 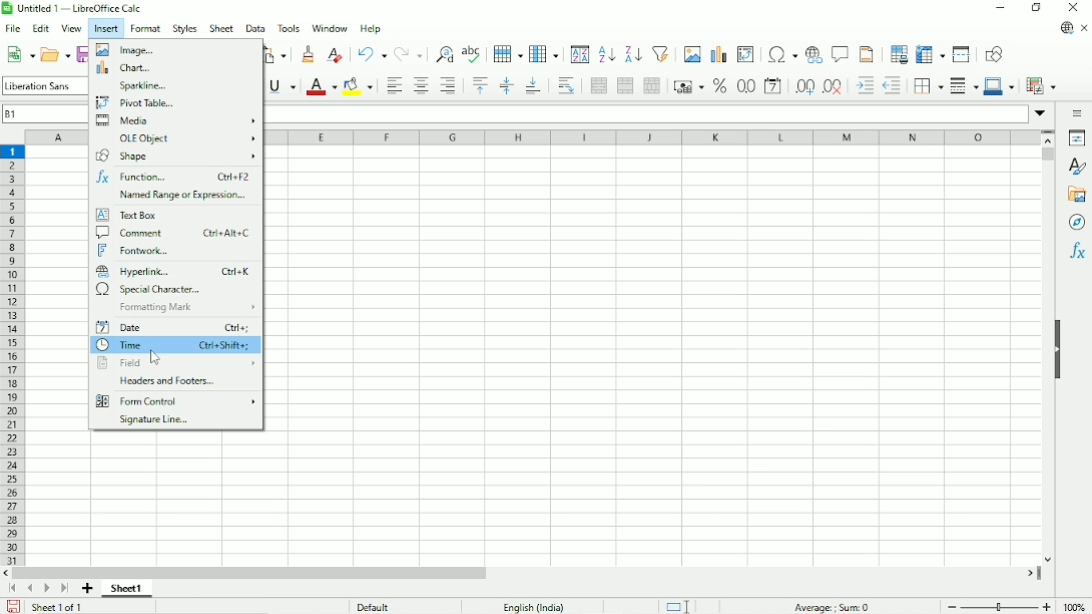 I want to click on File, so click(x=13, y=28).